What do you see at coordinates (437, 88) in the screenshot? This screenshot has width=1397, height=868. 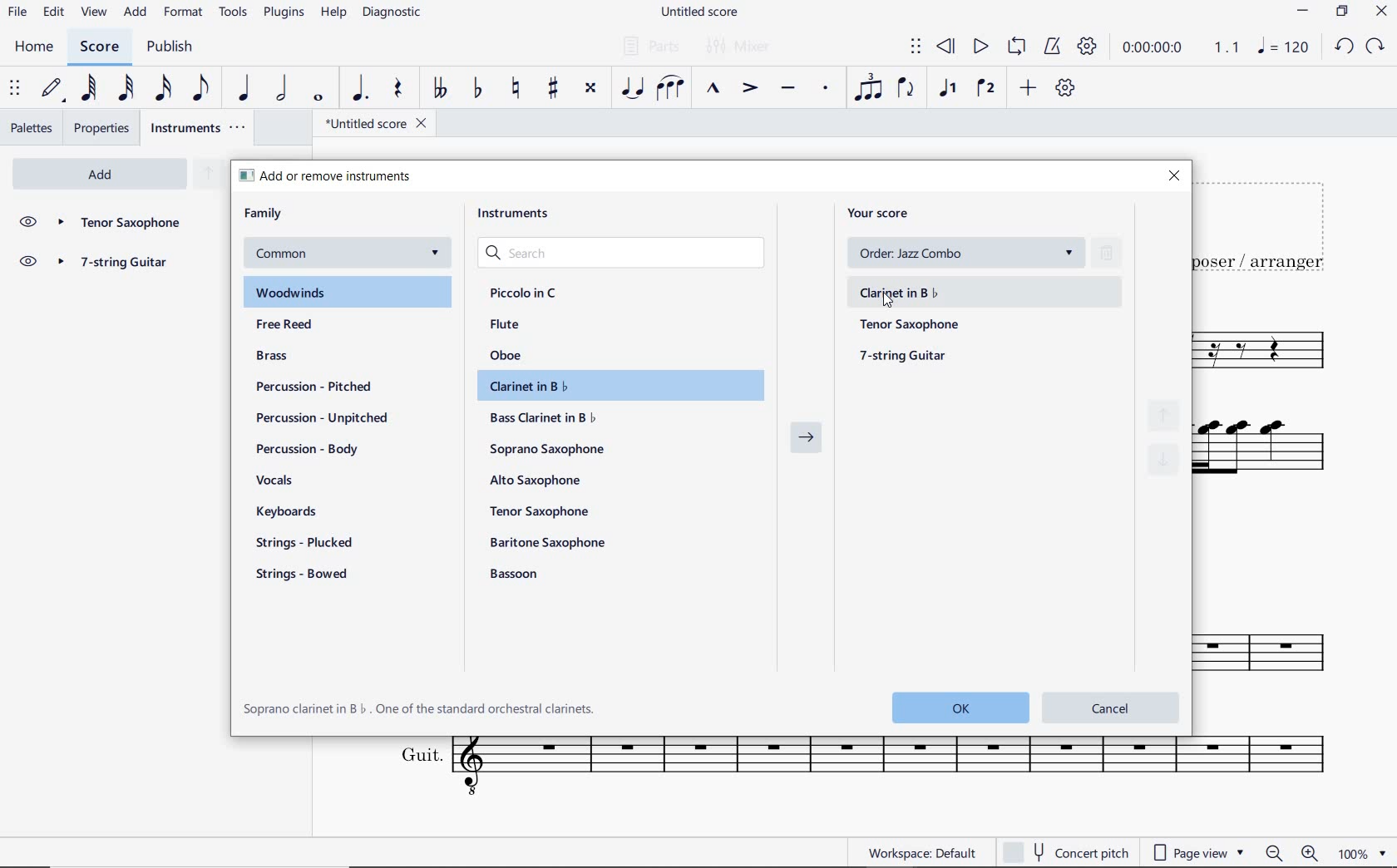 I see `TOGGLE-DOUBLE FLAT` at bounding box center [437, 88].